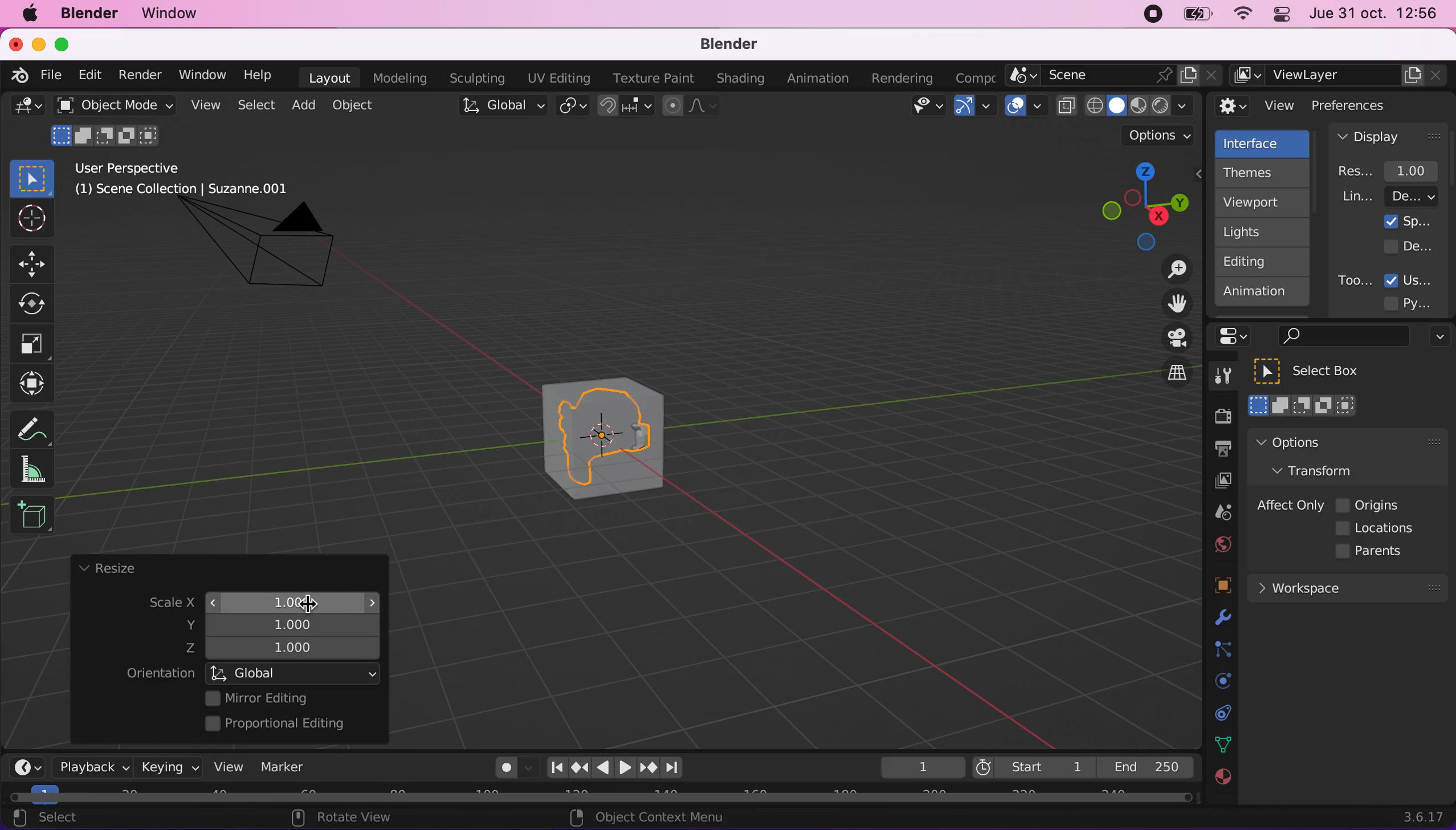 This screenshot has height=830, width=1456. Describe the element at coordinates (1209, 587) in the screenshot. I see `objects` at that location.